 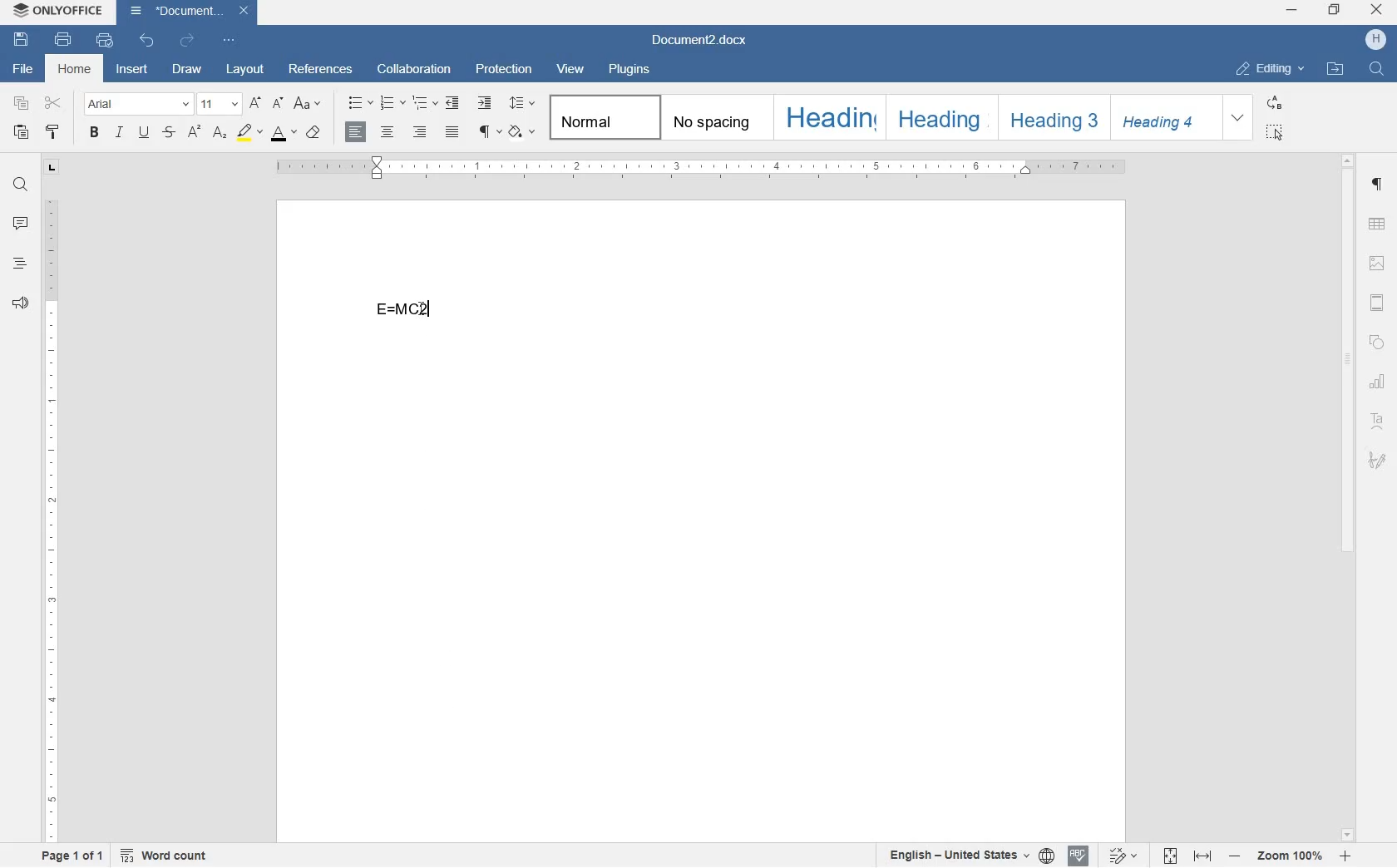 I want to click on bold, so click(x=93, y=131).